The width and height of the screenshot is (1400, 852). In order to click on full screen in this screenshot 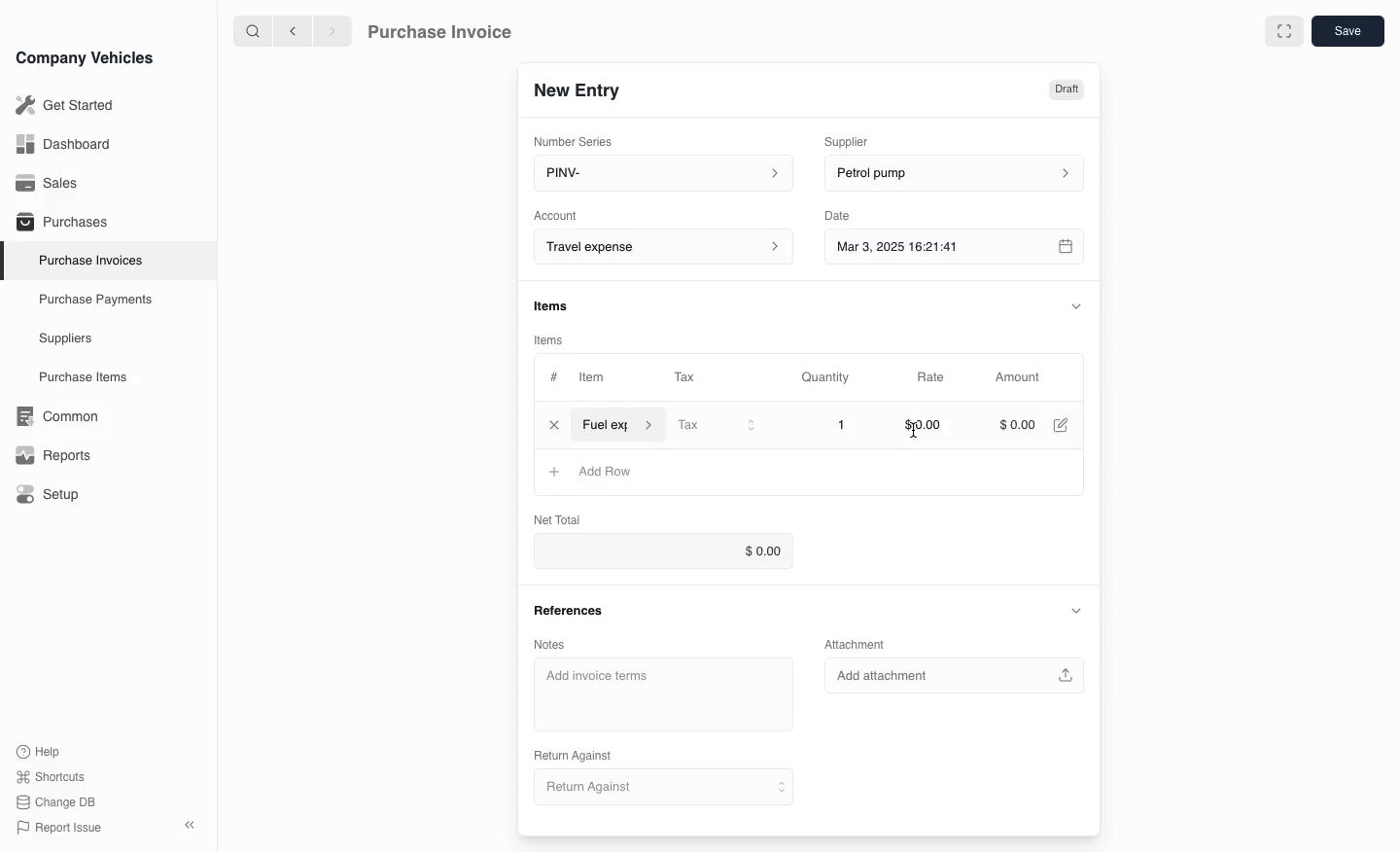, I will do `click(1283, 31)`.